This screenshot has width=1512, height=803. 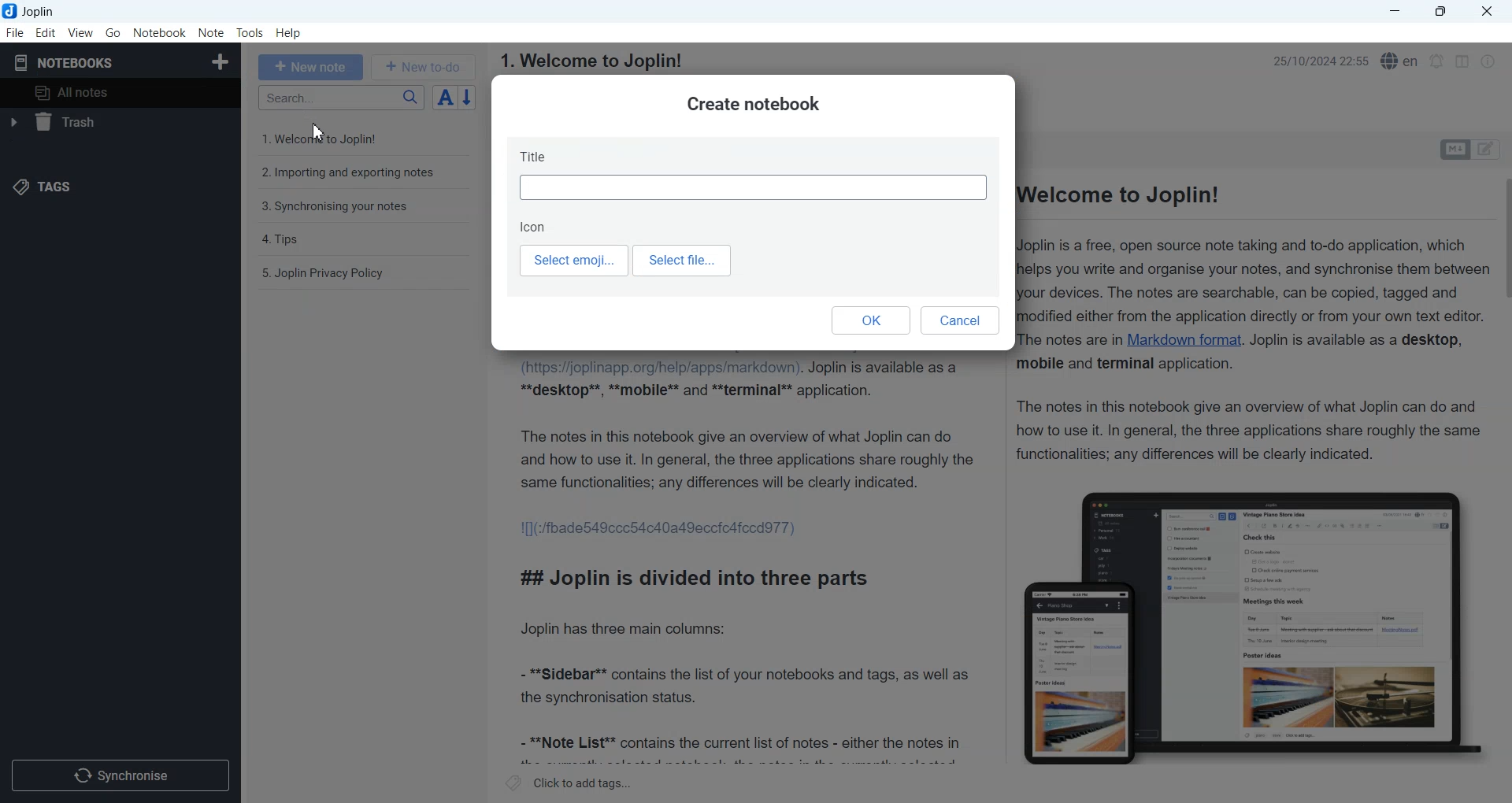 I want to click on Click to add tags, so click(x=569, y=783).